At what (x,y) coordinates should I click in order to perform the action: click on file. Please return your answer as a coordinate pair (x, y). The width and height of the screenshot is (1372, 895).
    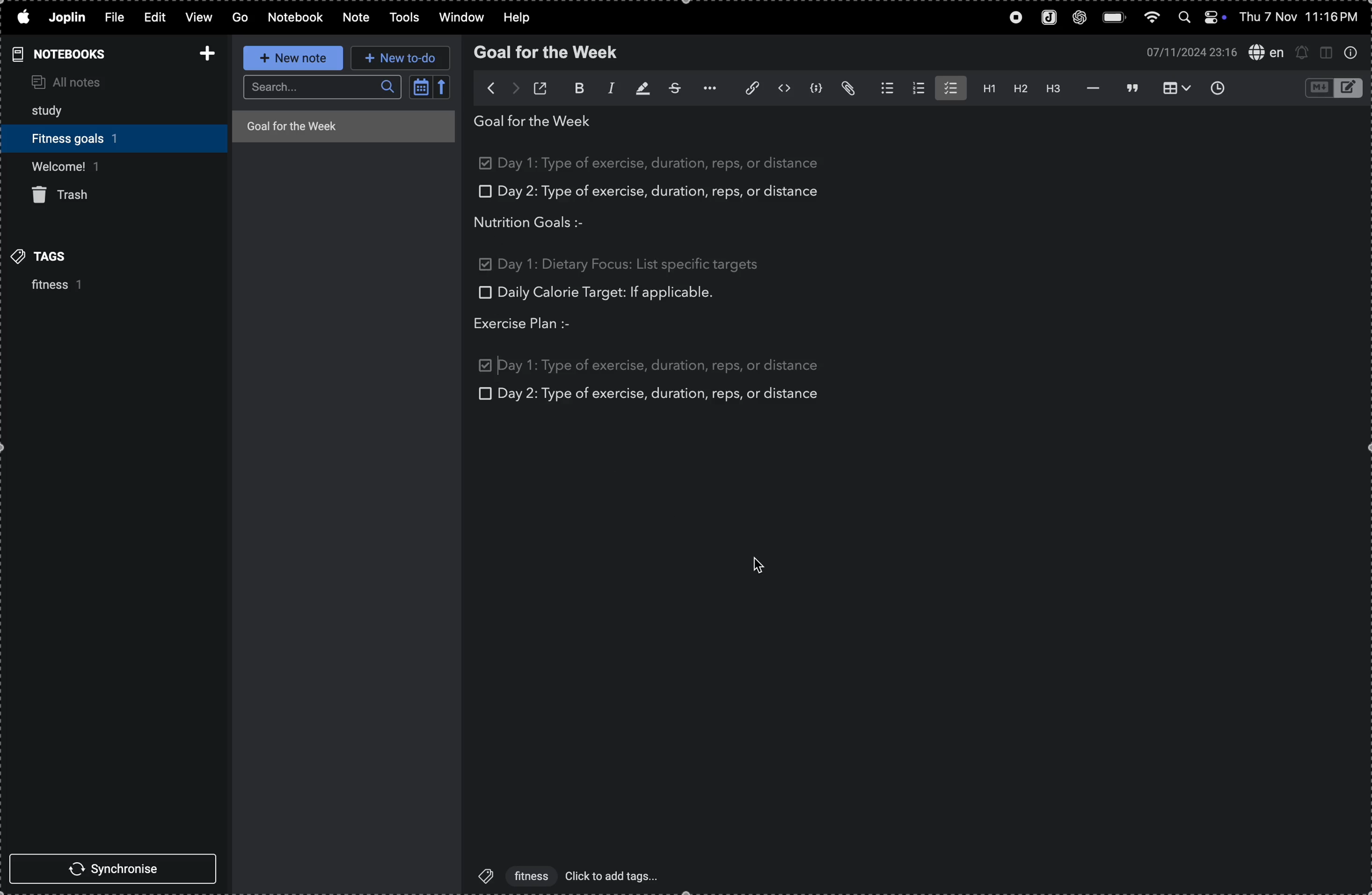
    Looking at the image, I should click on (118, 18).